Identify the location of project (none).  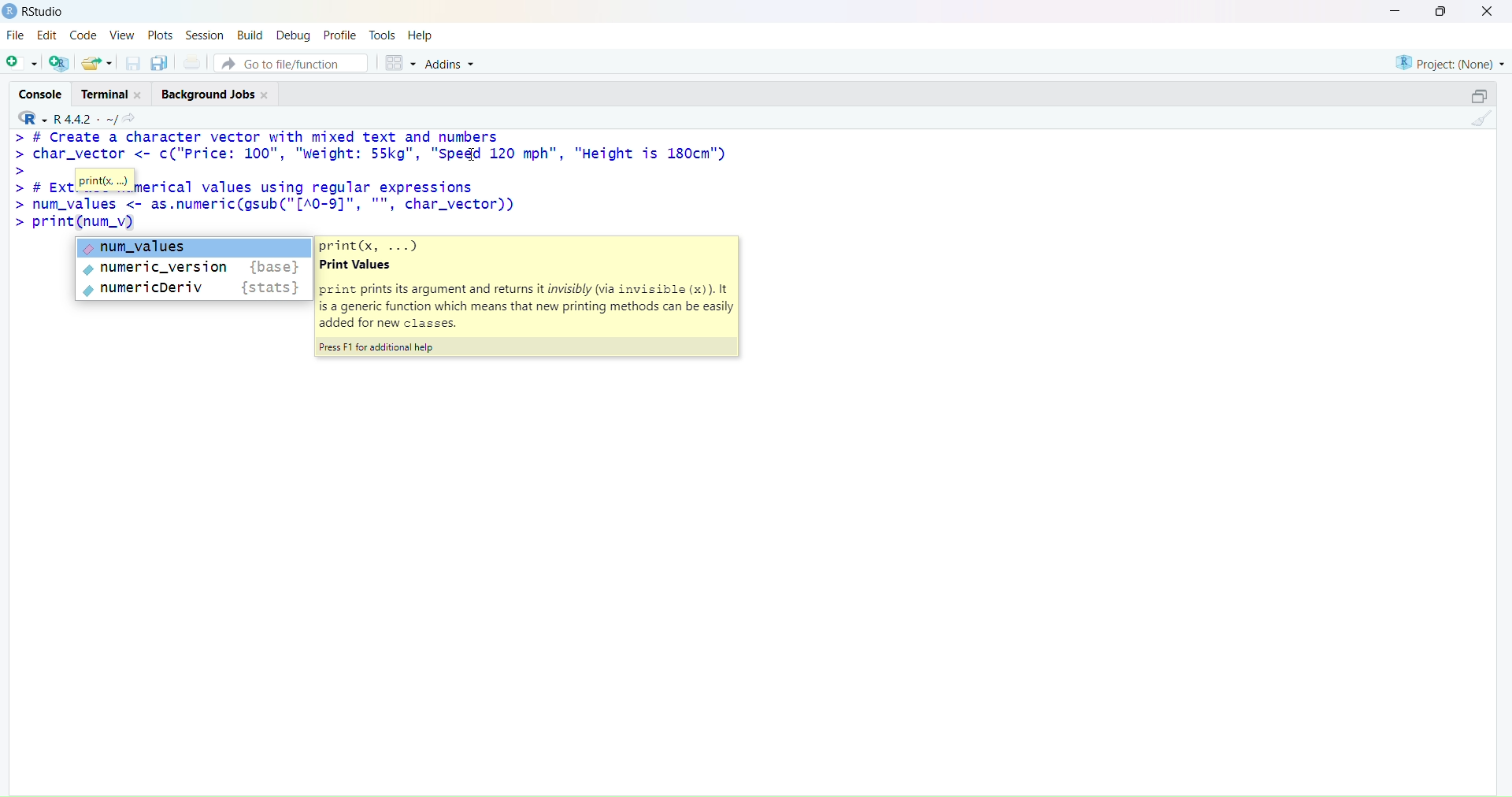
(1451, 63).